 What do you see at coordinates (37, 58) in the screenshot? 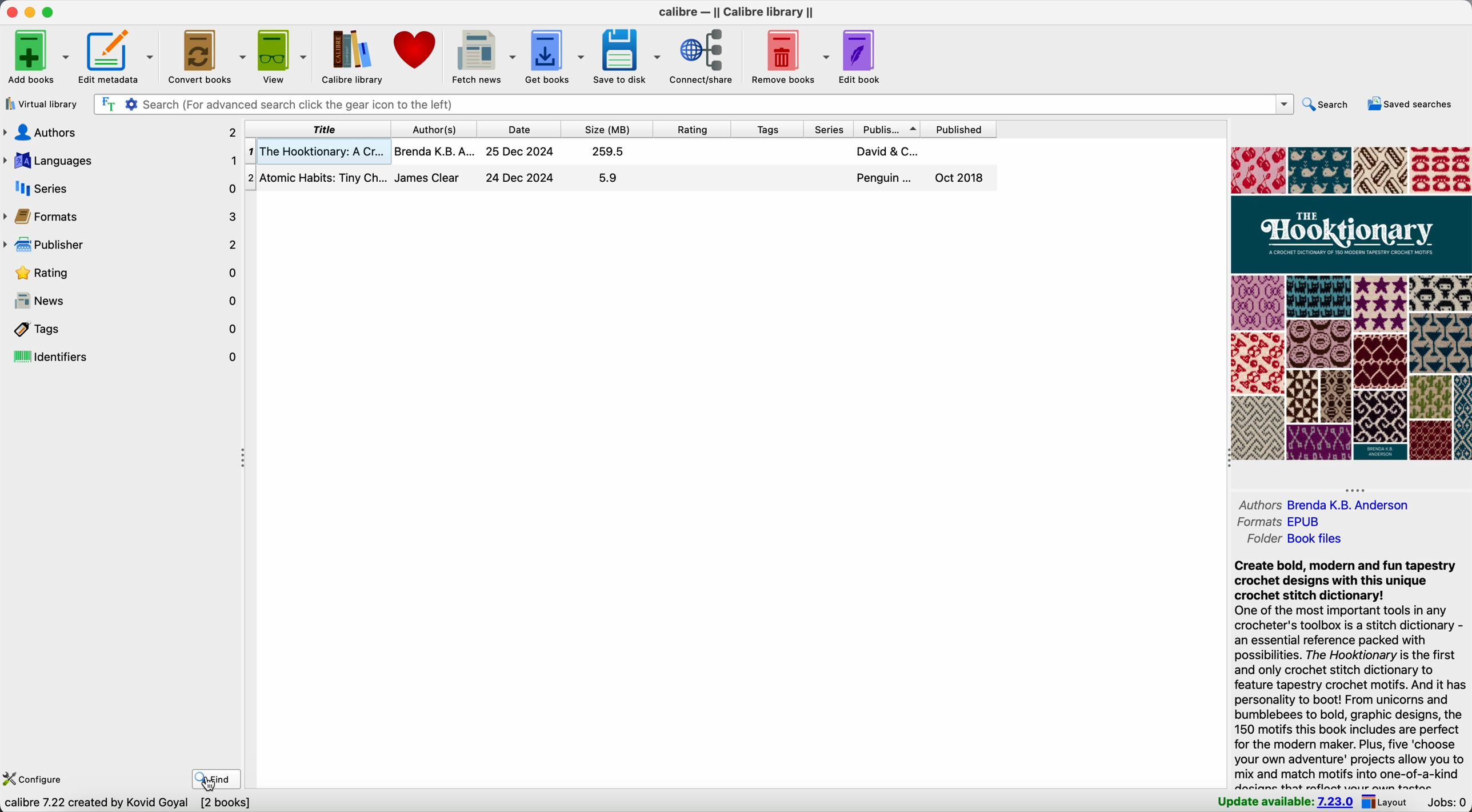
I see `add books` at bounding box center [37, 58].